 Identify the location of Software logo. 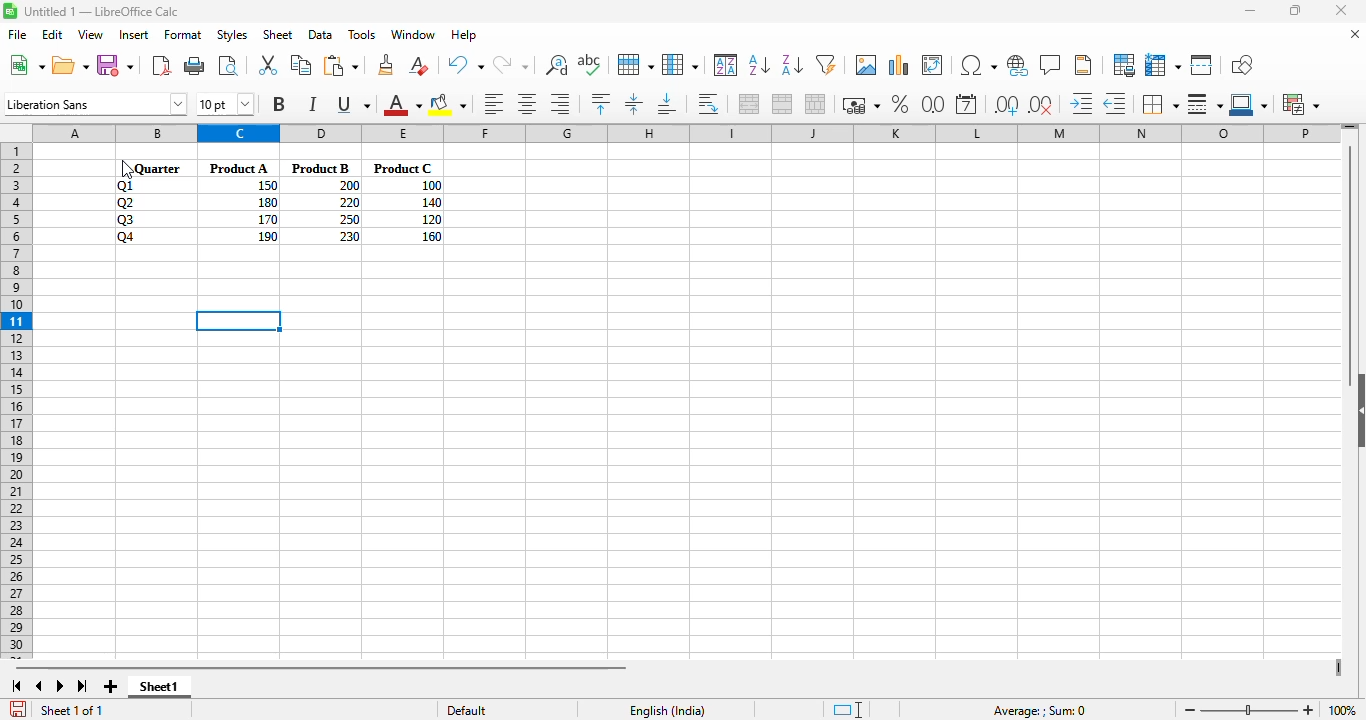
(10, 11).